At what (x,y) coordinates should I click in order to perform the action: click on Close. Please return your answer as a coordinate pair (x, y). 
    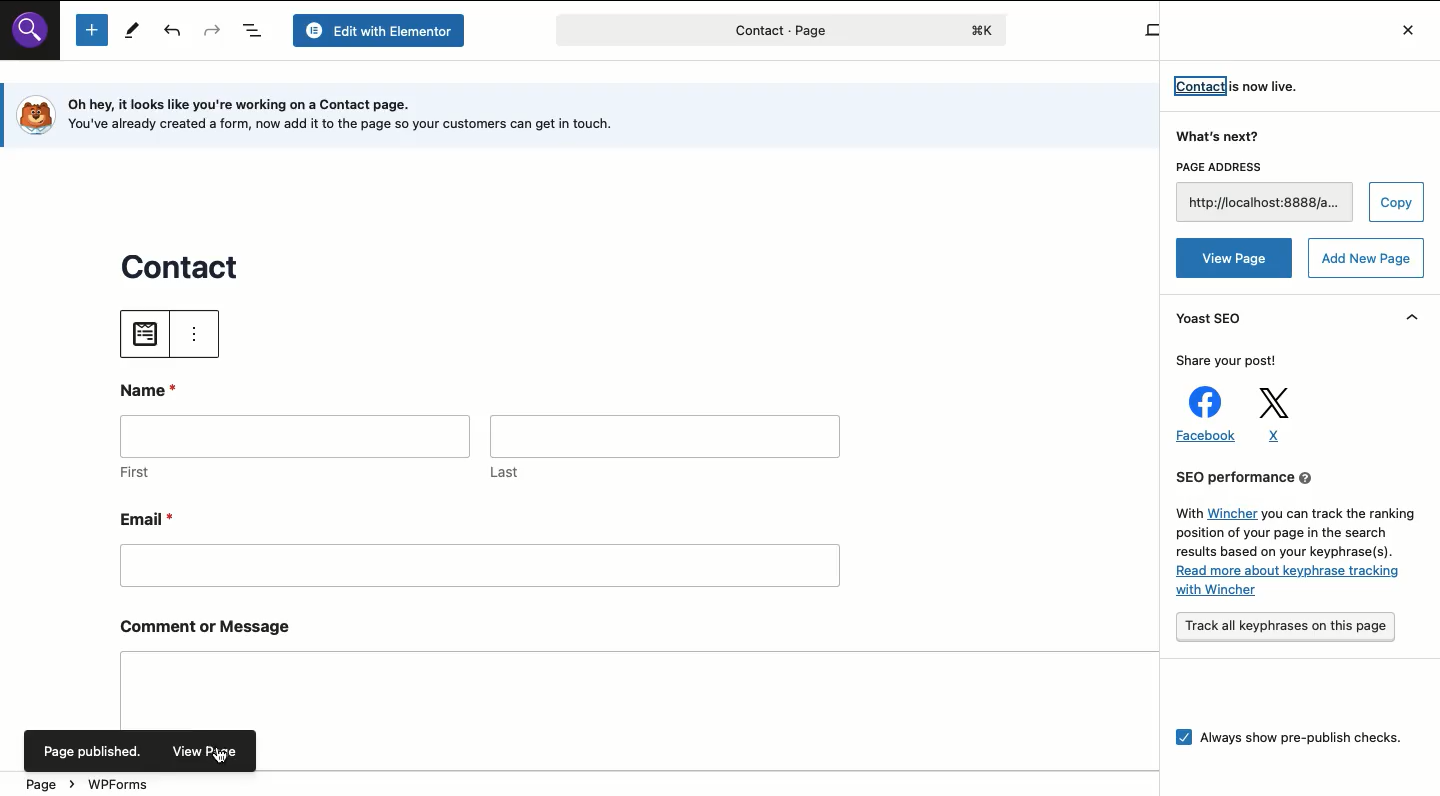
    Looking at the image, I should click on (1403, 28).